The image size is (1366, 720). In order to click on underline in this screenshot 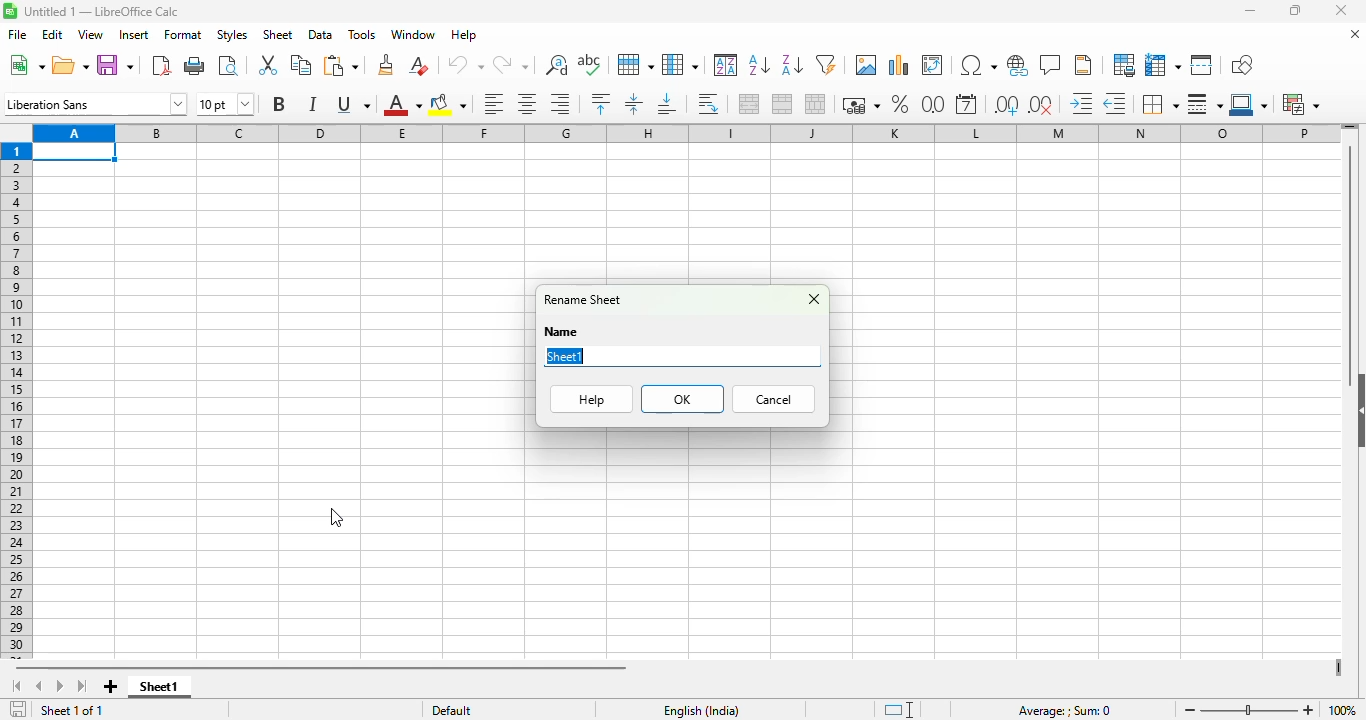, I will do `click(353, 104)`.